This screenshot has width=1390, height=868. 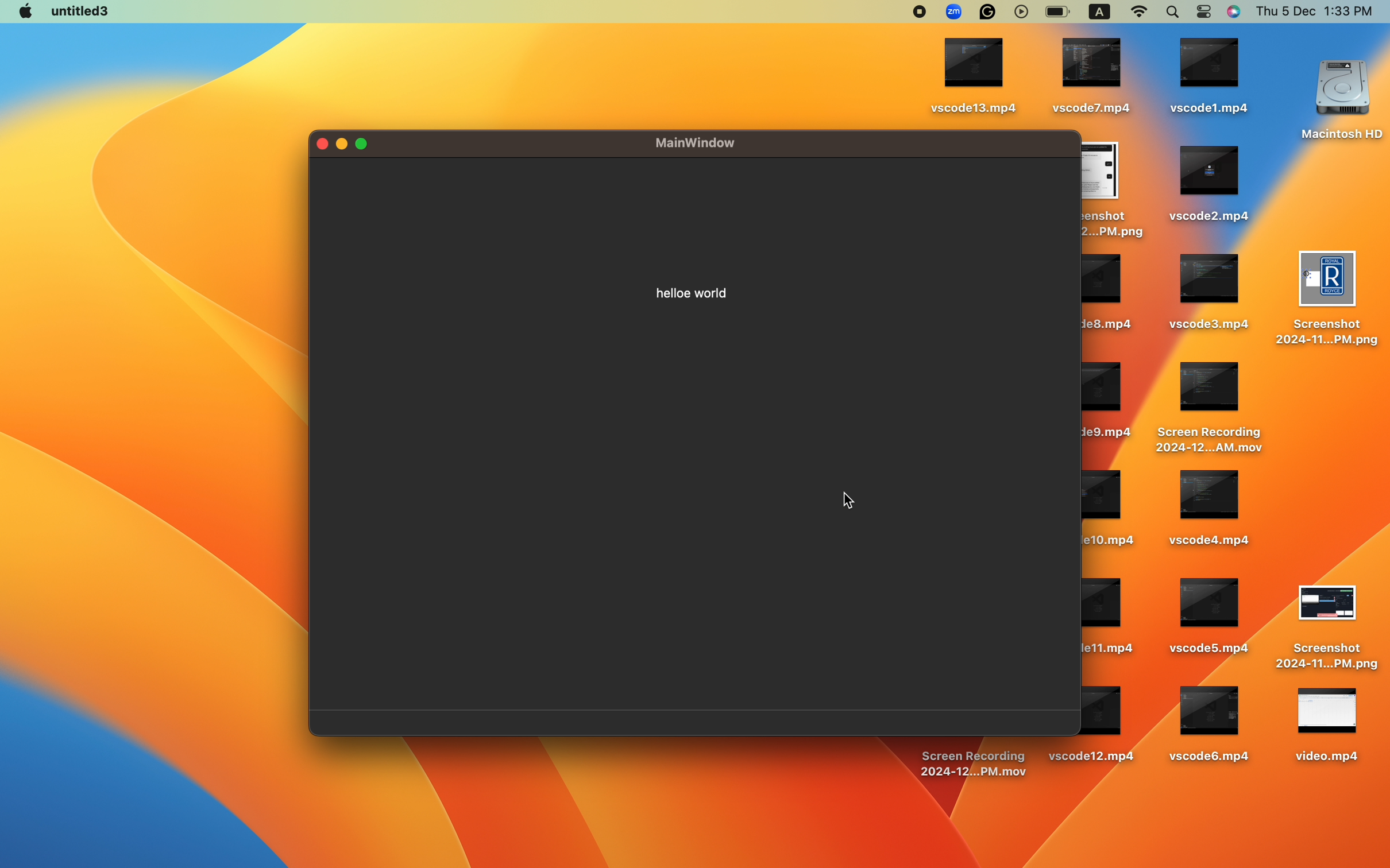 I want to click on created application, so click(x=694, y=454).